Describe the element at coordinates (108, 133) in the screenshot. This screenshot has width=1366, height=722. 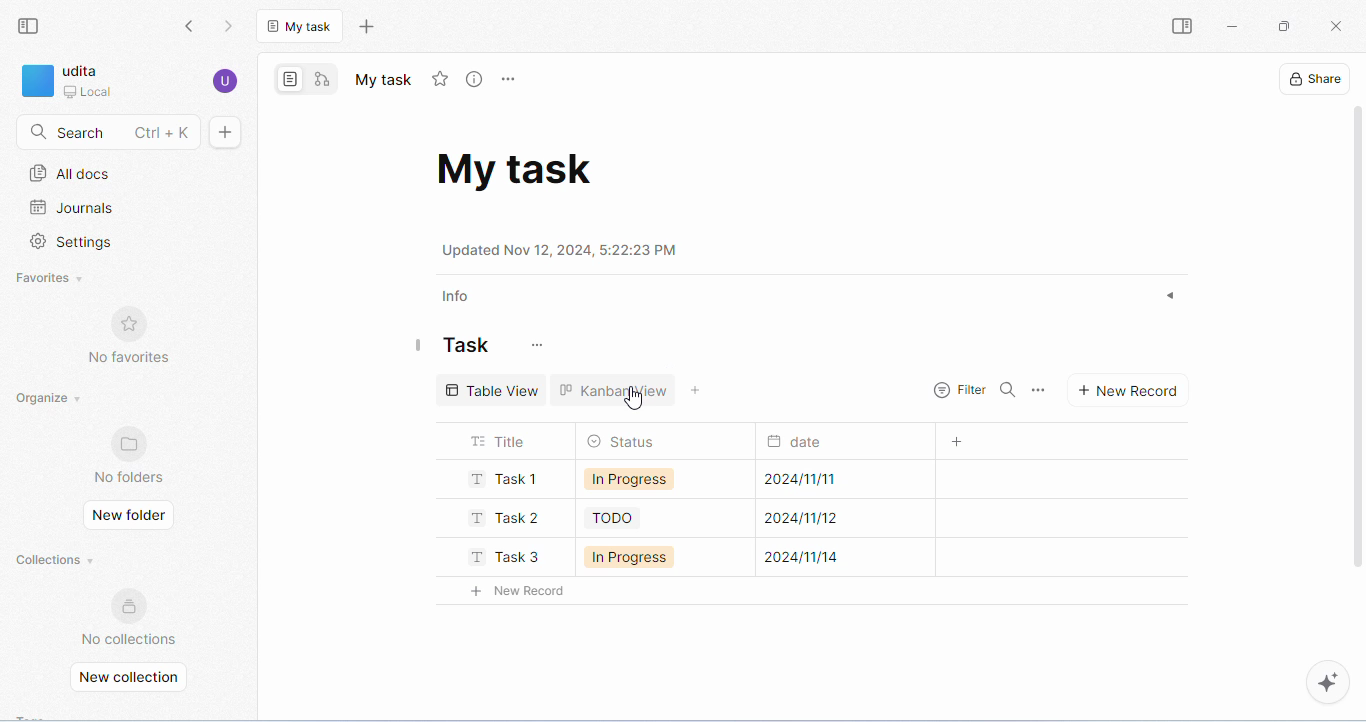
I see `search` at that location.